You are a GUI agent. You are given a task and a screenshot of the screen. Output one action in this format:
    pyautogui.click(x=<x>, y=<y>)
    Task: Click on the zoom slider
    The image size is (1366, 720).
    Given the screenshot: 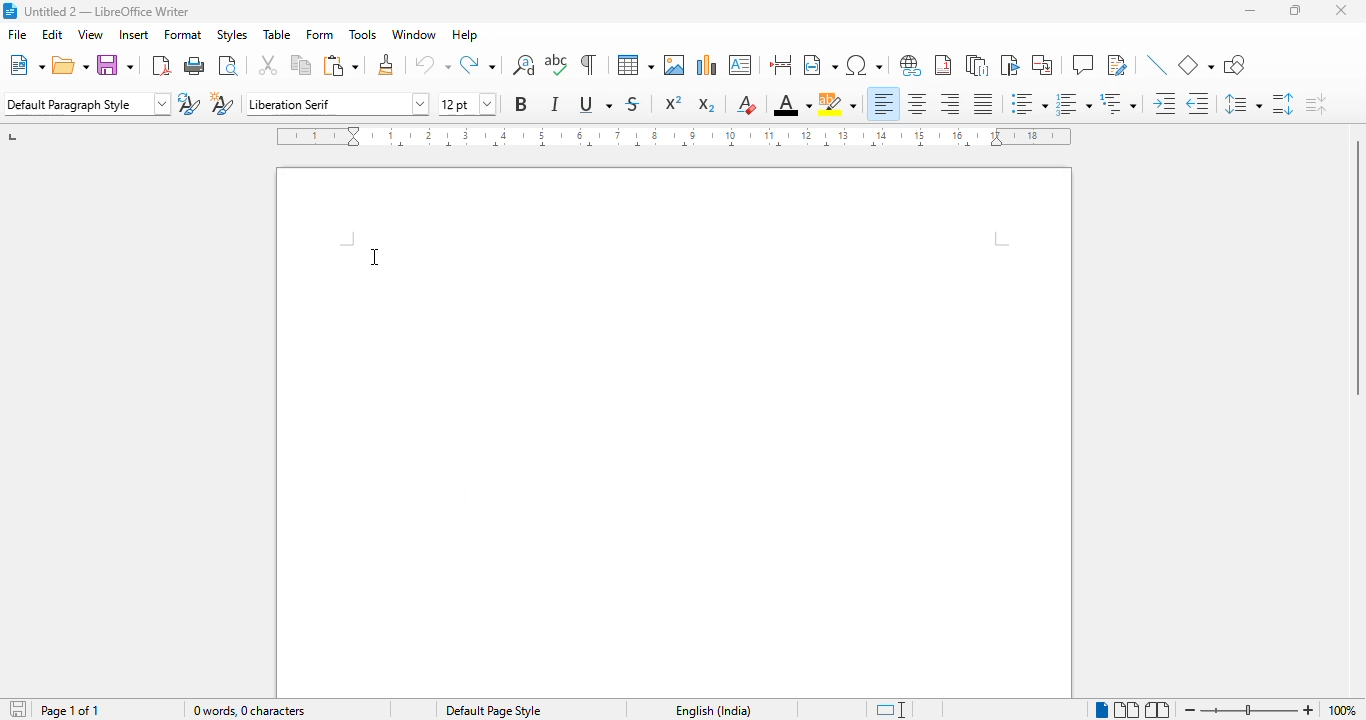 What is the action you would take?
    pyautogui.click(x=1253, y=709)
    